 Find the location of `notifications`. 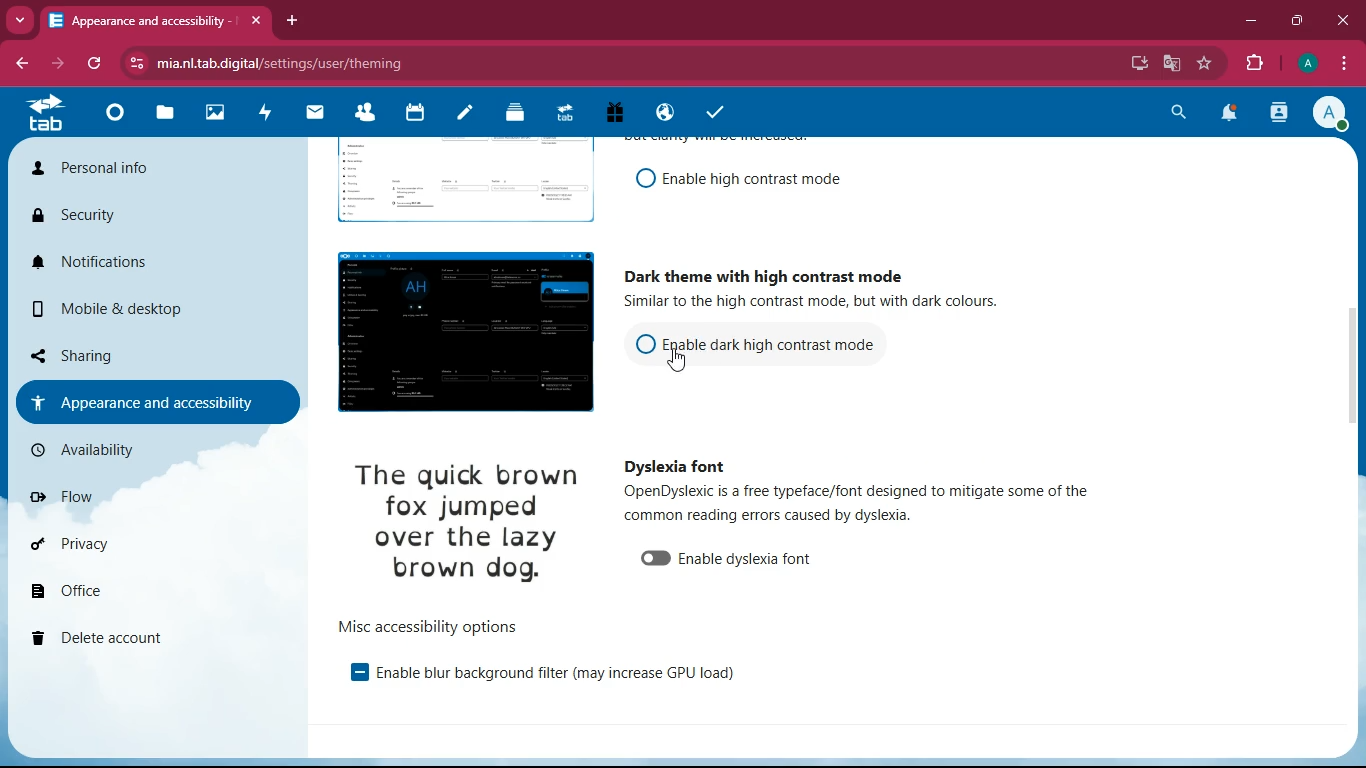

notifications is located at coordinates (1232, 114).